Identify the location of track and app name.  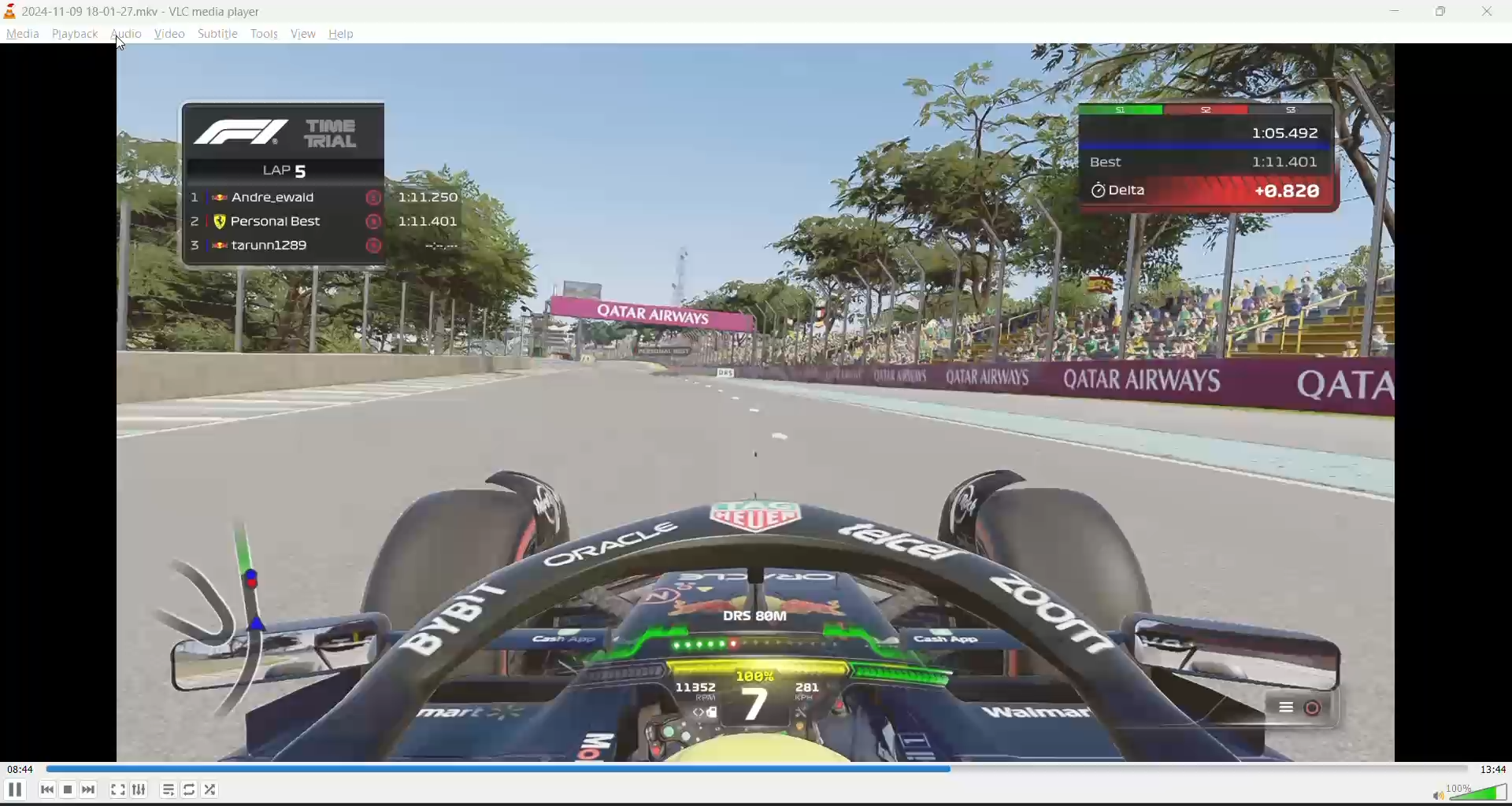
(139, 11).